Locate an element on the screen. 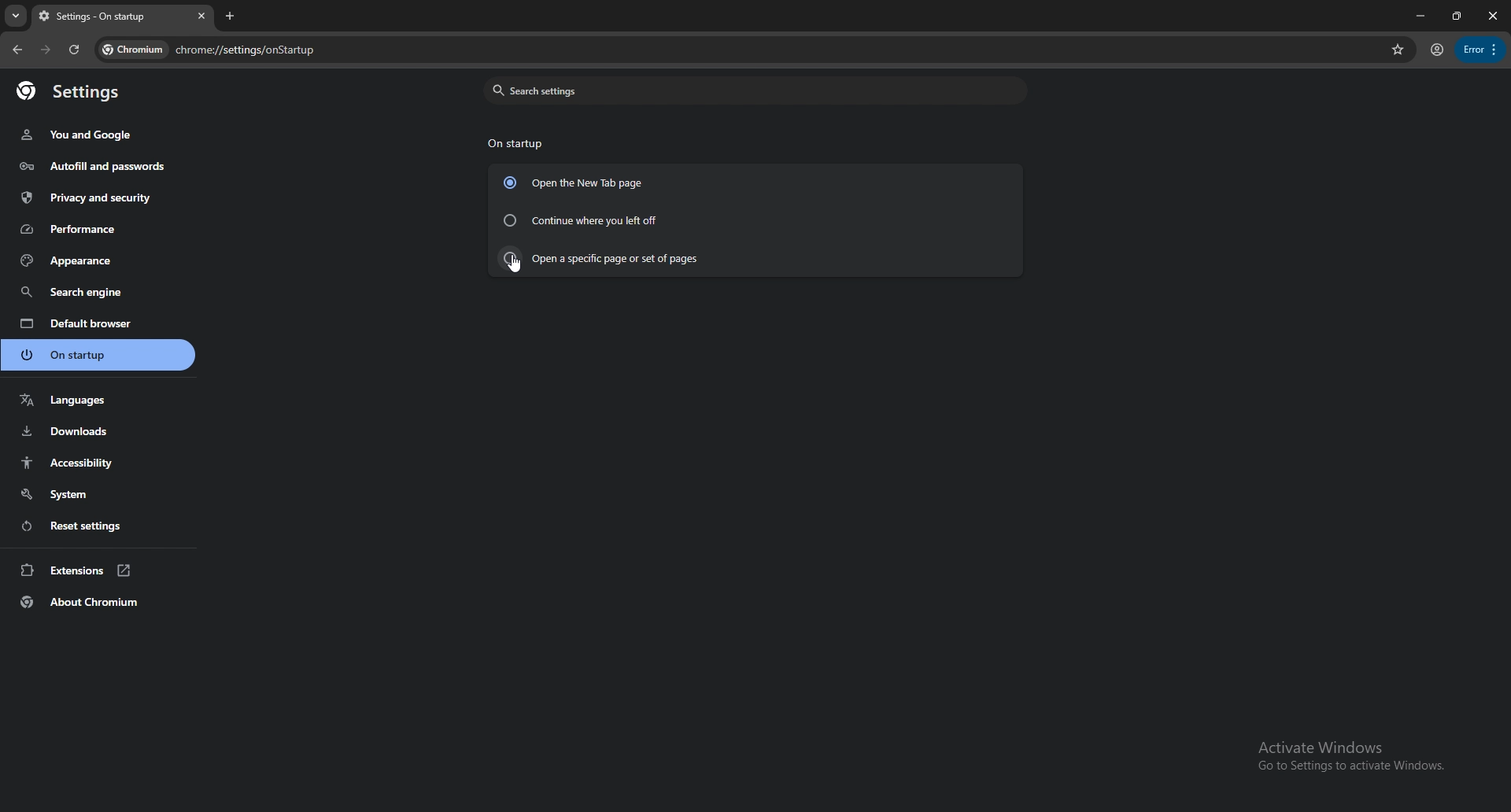 The image size is (1511, 812). tab is located at coordinates (108, 17).